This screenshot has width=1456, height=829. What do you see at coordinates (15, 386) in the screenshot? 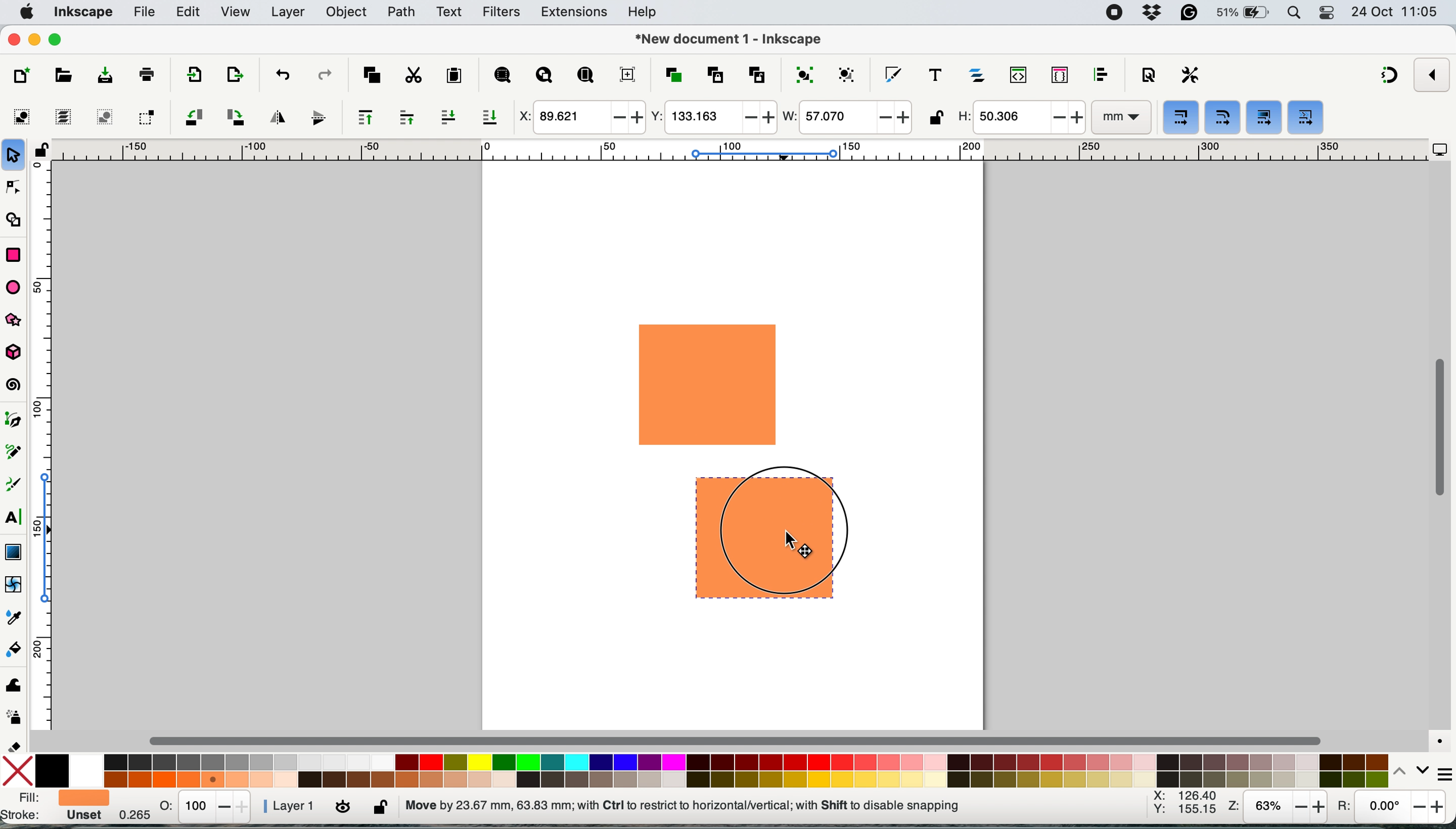
I see `spiral tool` at bounding box center [15, 386].